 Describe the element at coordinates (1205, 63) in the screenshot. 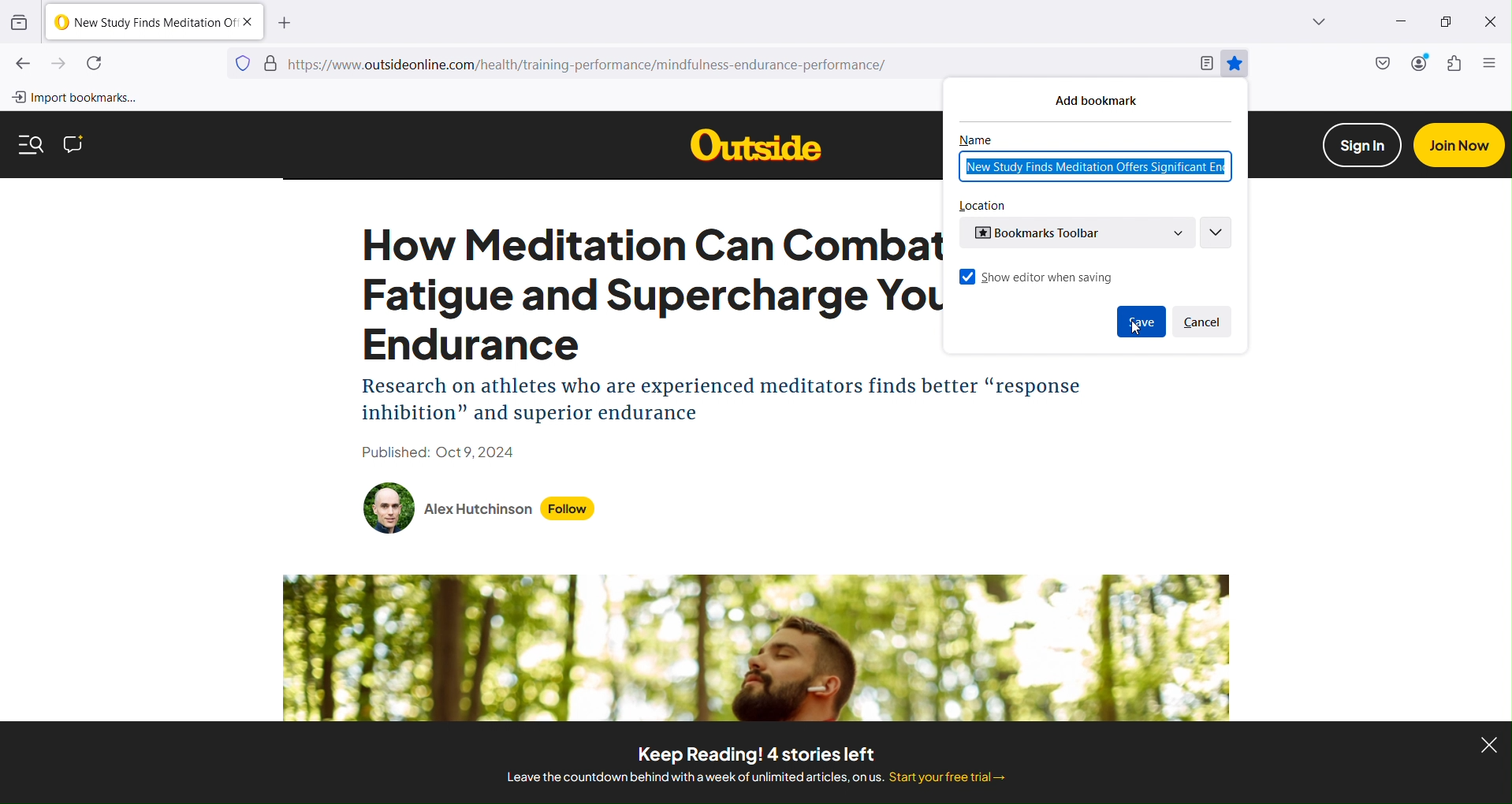

I see `Toggle reader view` at that location.